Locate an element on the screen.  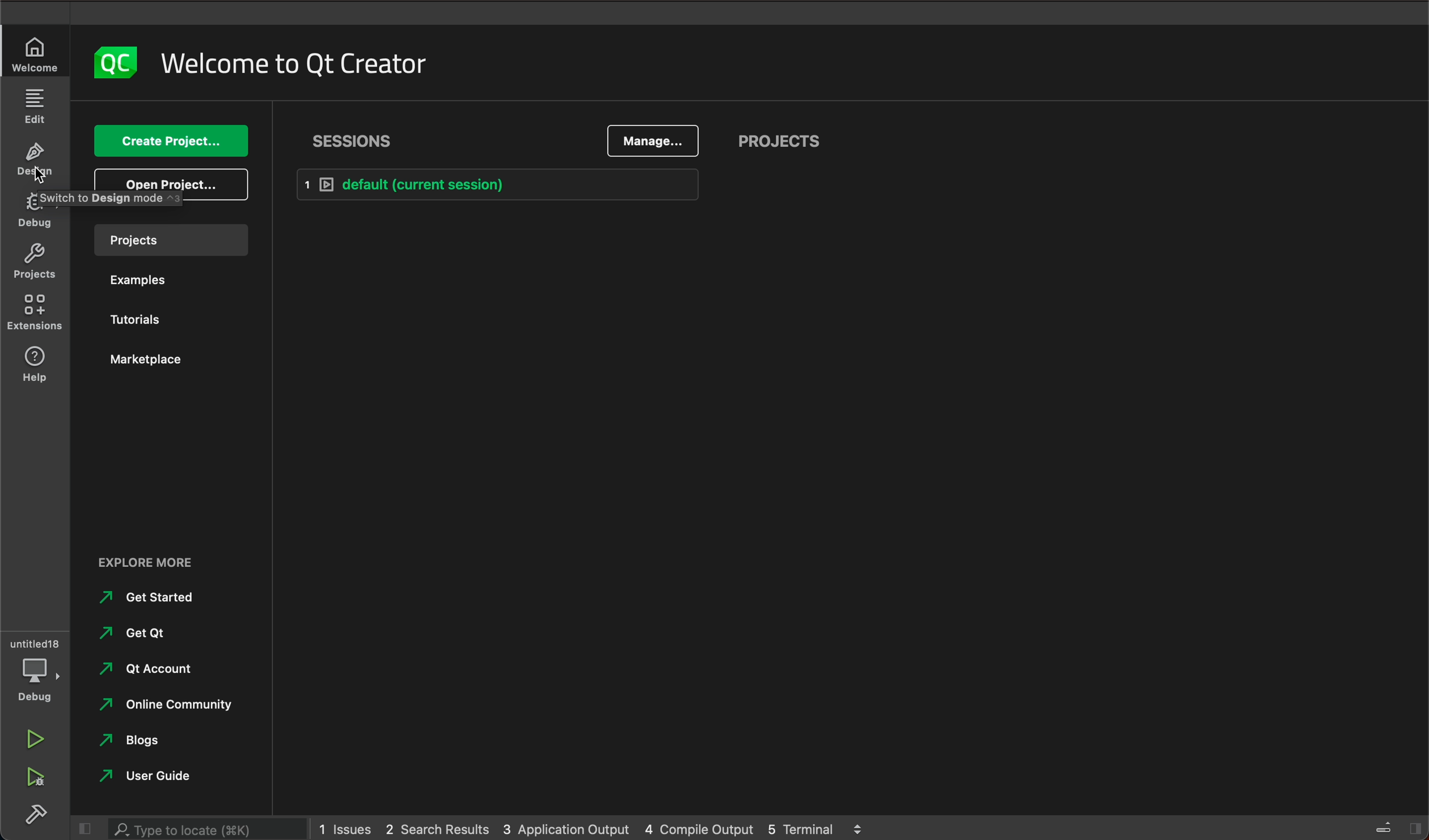
build is located at coordinates (34, 813).